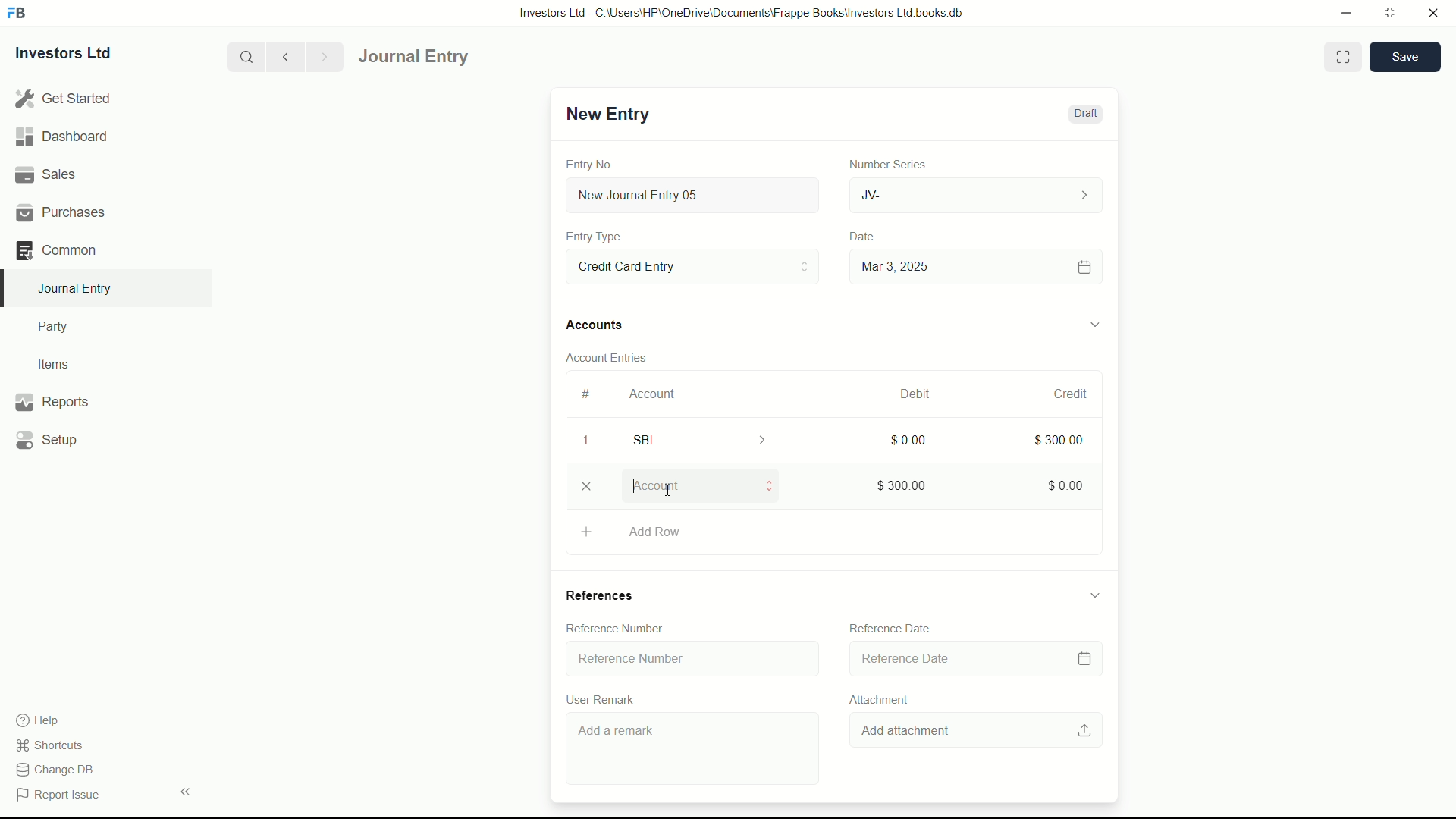 The height and width of the screenshot is (819, 1456). Describe the element at coordinates (974, 266) in the screenshot. I see `Mar 3, 2025` at that location.